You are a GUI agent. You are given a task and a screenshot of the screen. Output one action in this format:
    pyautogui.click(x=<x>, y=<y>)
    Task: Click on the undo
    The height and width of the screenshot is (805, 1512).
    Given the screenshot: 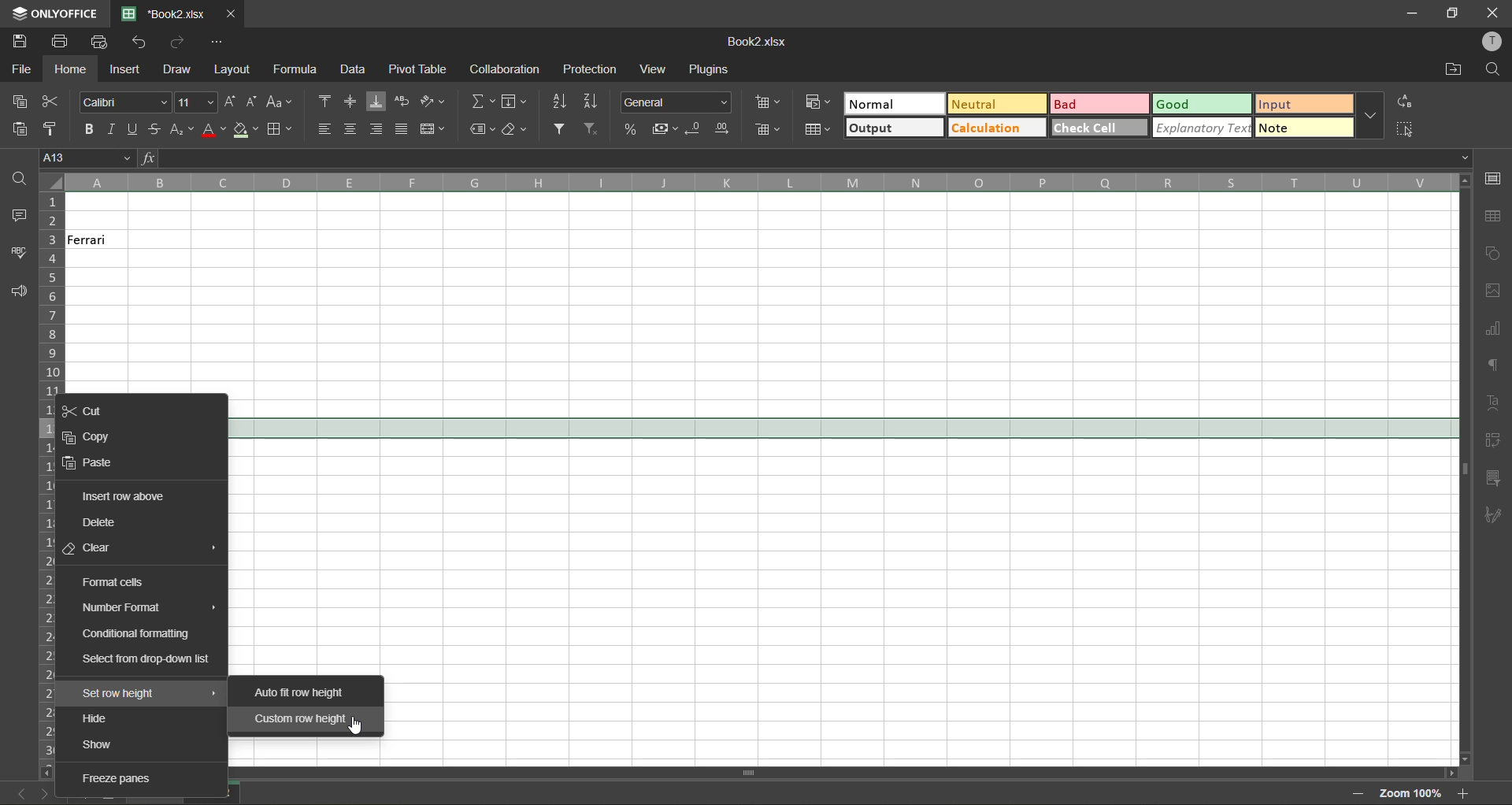 What is the action you would take?
    pyautogui.click(x=145, y=44)
    